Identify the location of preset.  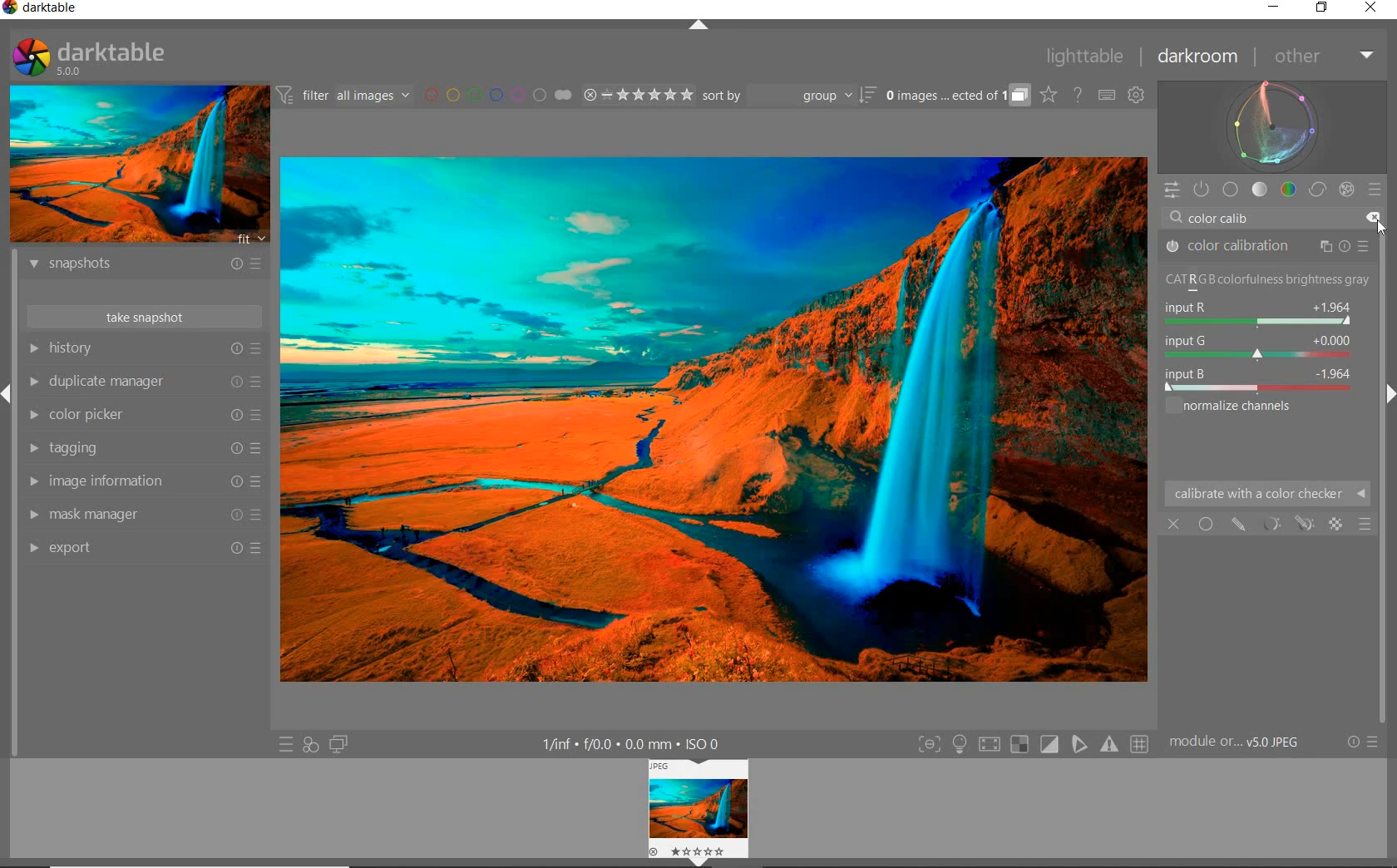
(1376, 192).